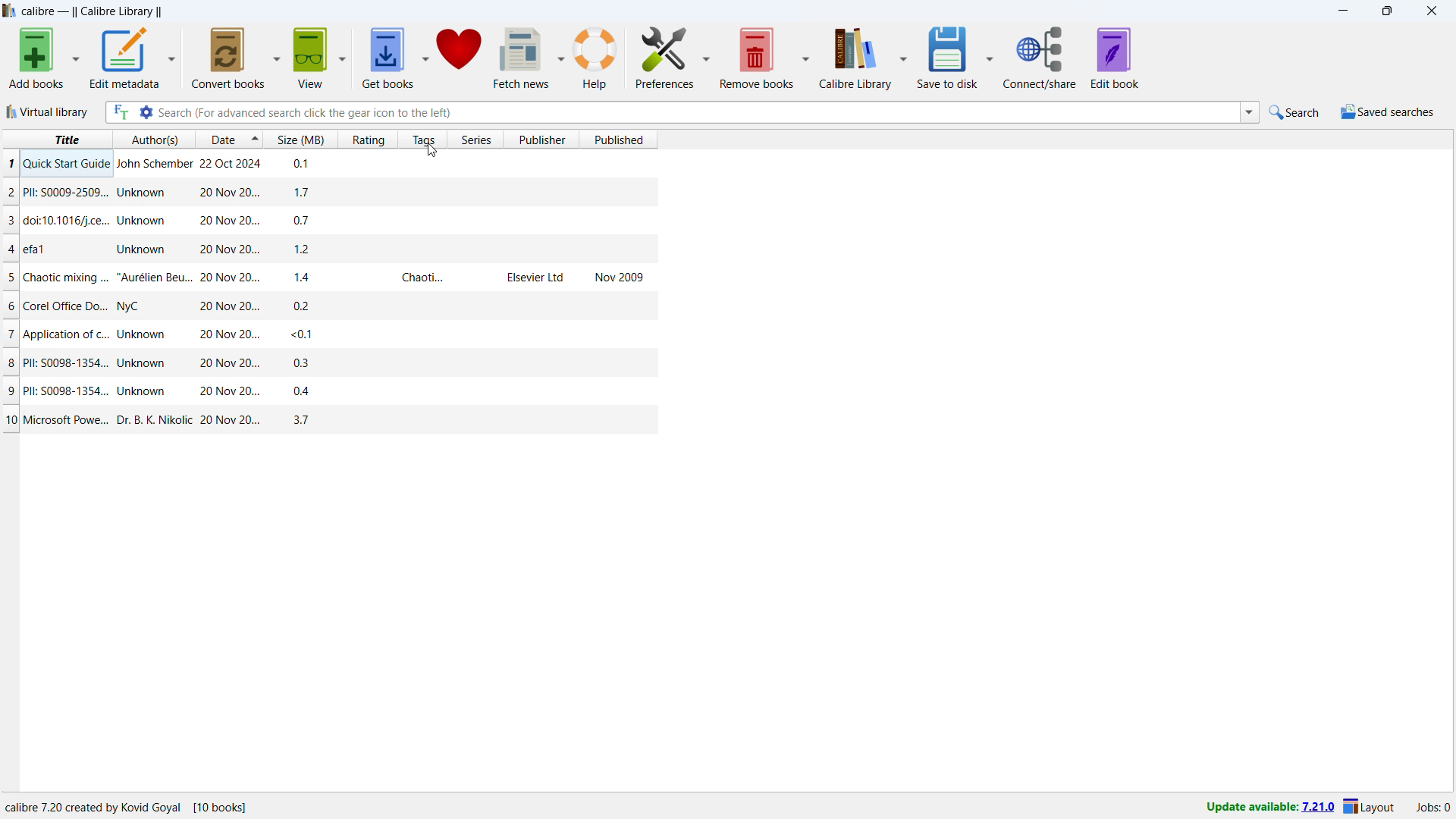  What do you see at coordinates (325, 305) in the screenshot?
I see `one book entry` at bounding box center [325, 305].